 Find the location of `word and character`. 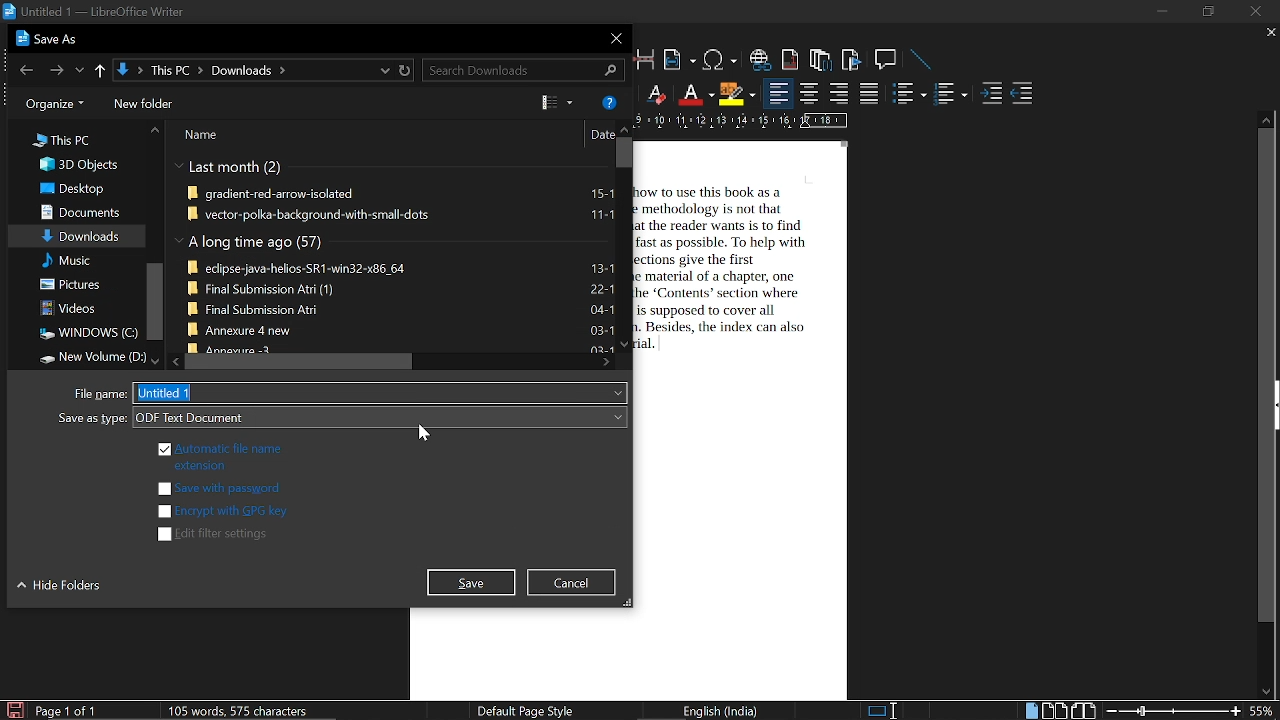

word and character is located at coordinates (242, 710).